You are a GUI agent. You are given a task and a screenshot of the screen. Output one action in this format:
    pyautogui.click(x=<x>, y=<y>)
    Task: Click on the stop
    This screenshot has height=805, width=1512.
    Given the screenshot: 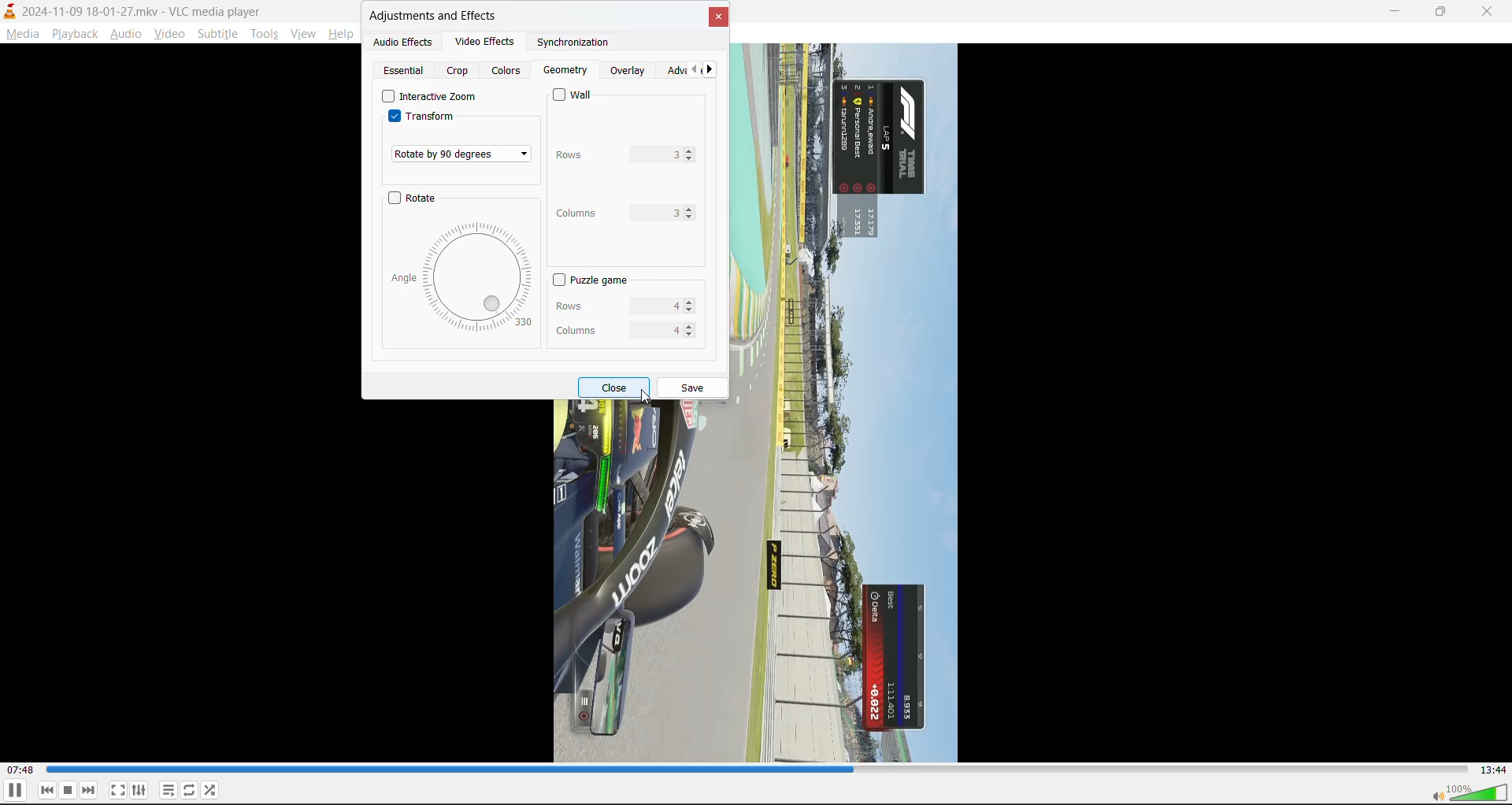 What is the action you would take?
    pyautogui.click(x=69, y=790)
    